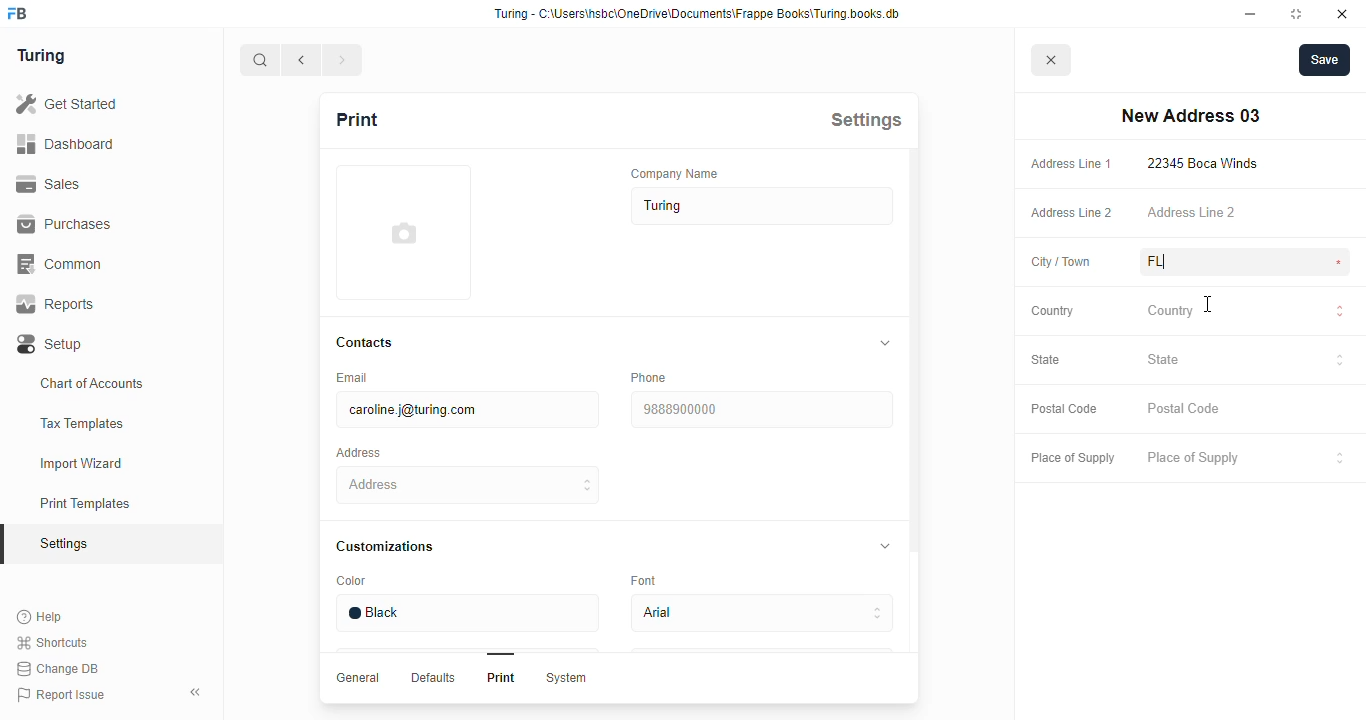  Describe the element at coordinates (51, 345) in the screenshot. I see `setup` at that location.